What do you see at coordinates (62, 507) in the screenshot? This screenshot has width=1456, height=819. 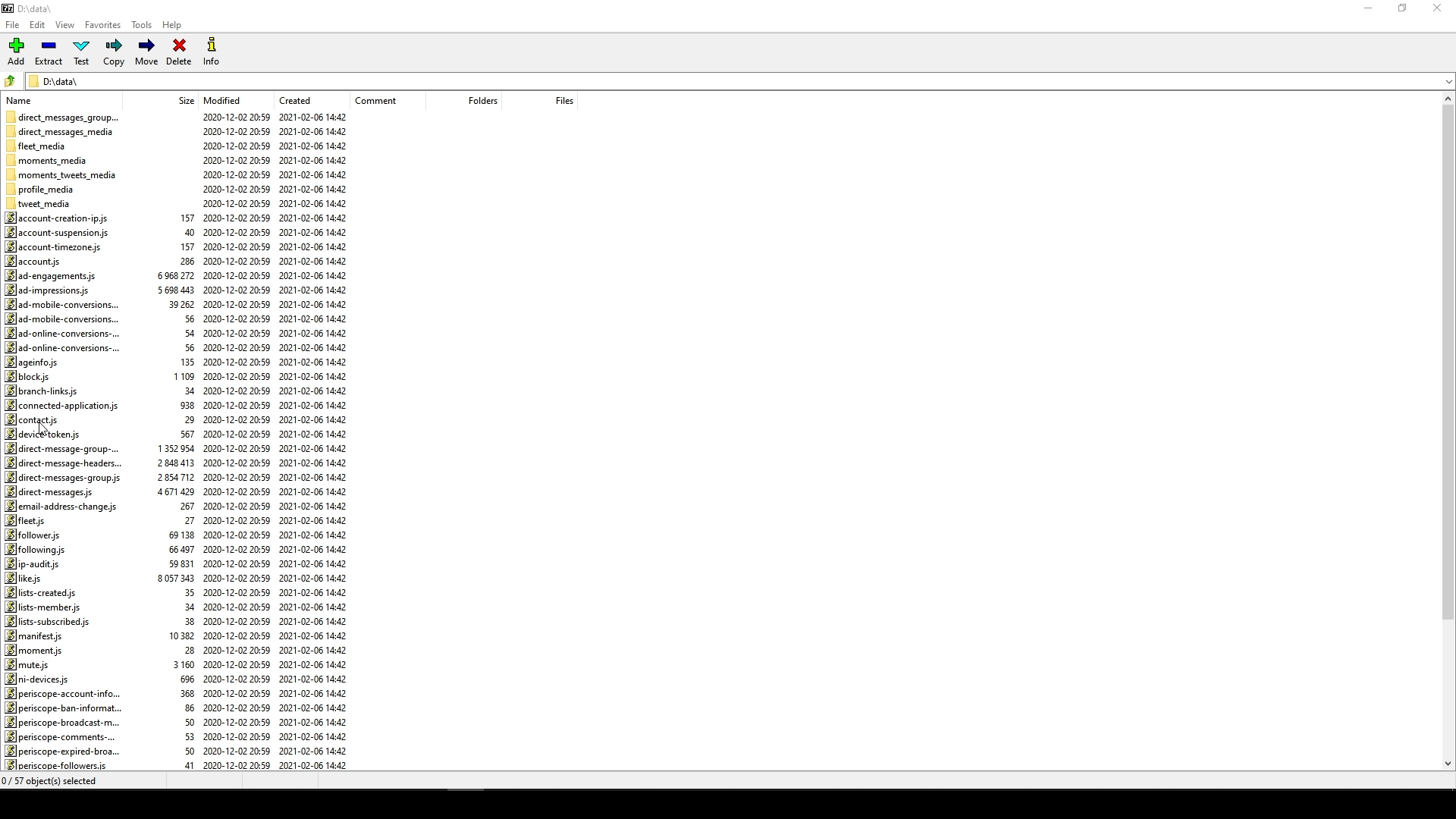 I see `email-address-change.js` at bounding box center [62, 507].